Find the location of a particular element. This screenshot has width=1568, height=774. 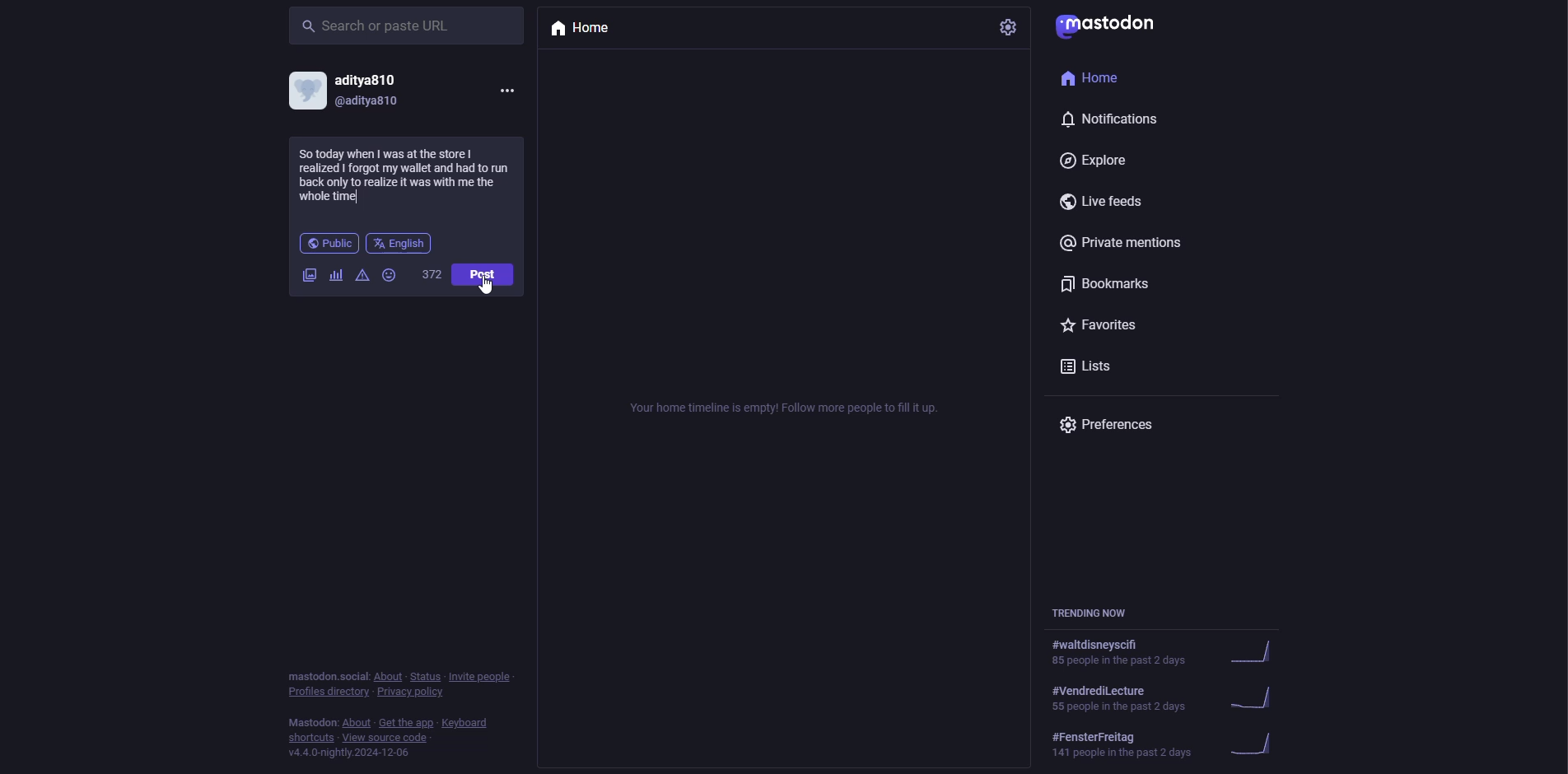

advanced is located at coordinates (364, 276).